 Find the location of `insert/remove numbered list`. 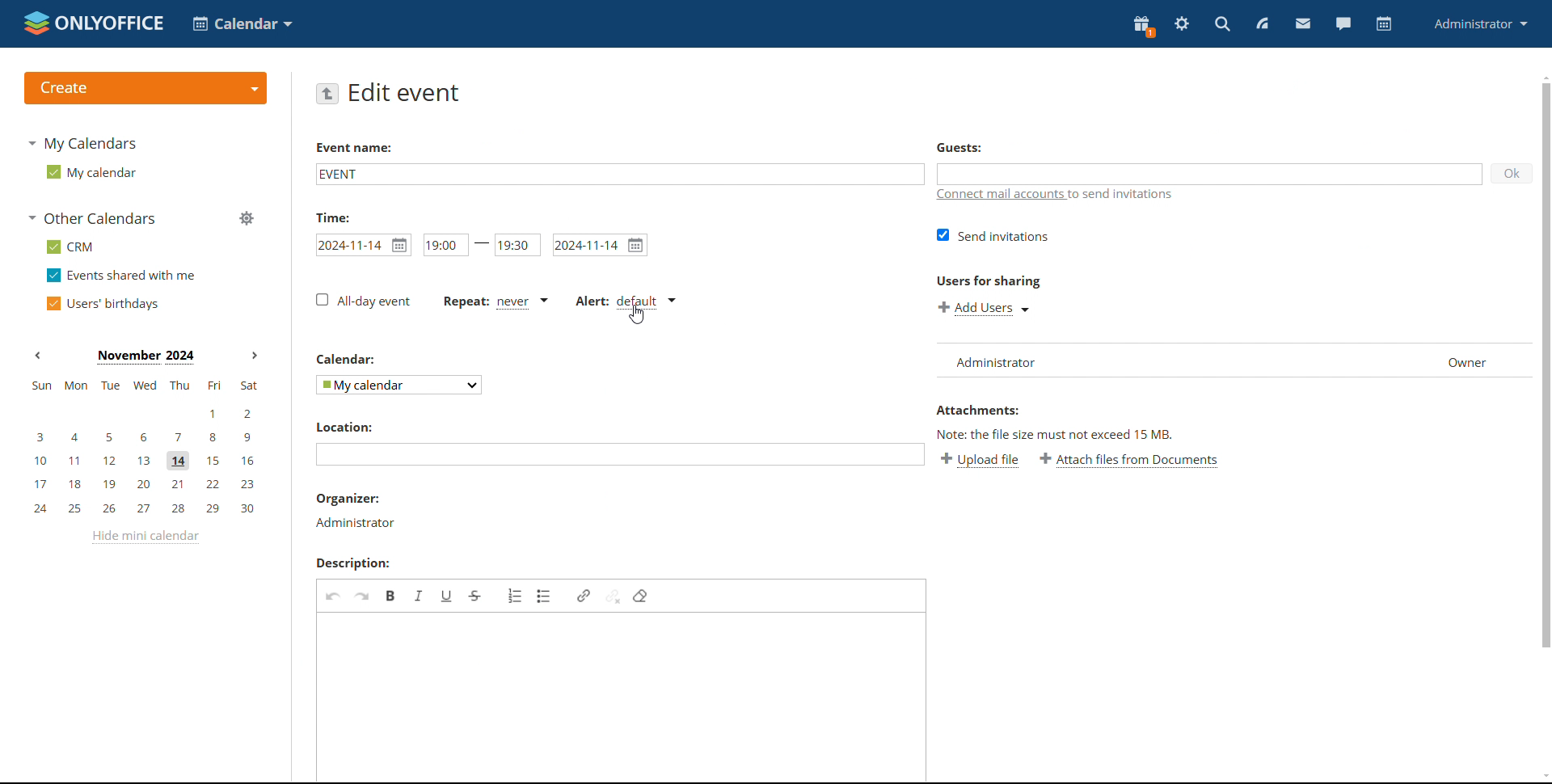

insert/remove numbered list is located at coordinates (517, 595).